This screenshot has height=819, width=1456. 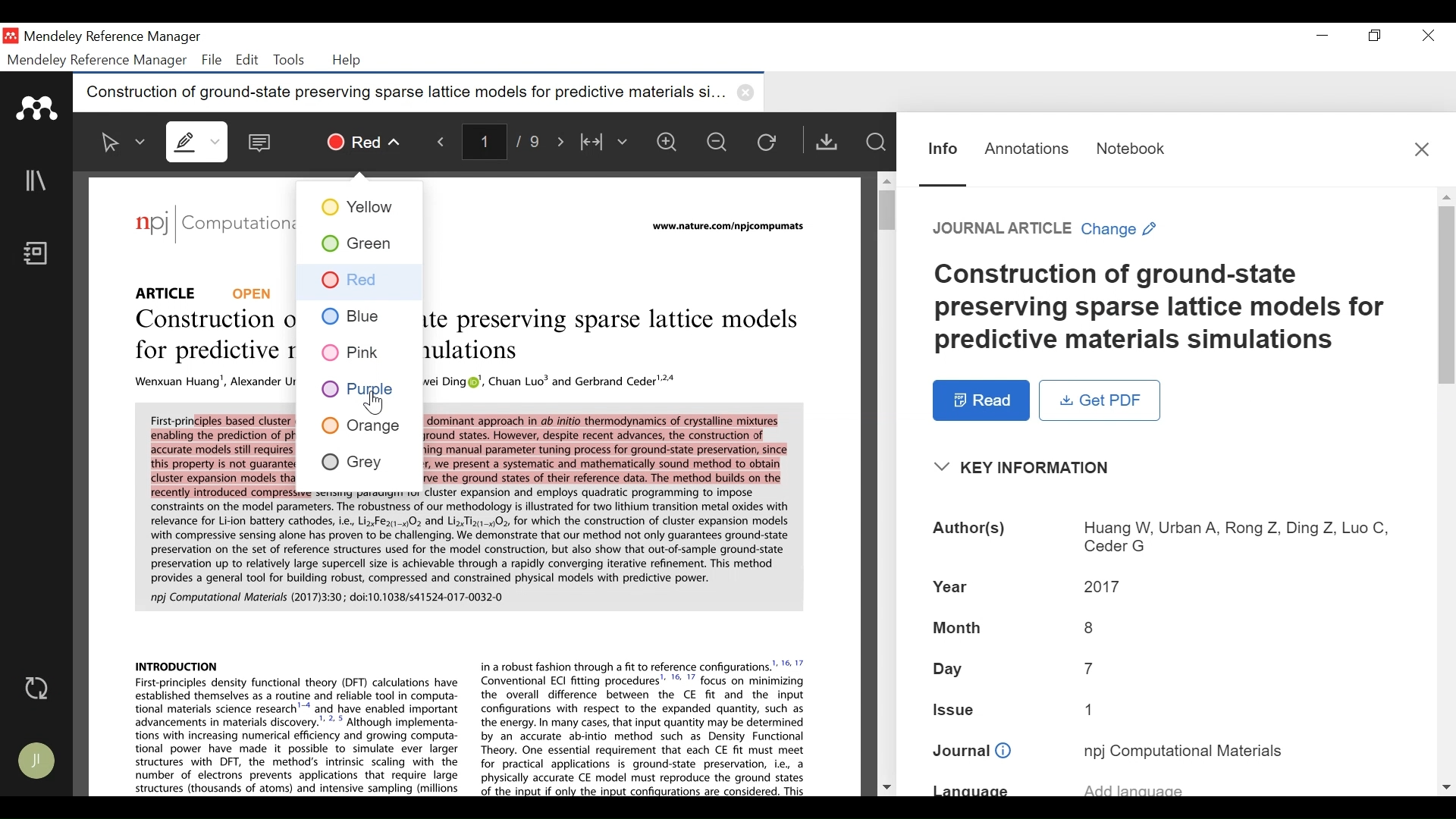 I want to click on minimize, so click(x=1323, y=36).